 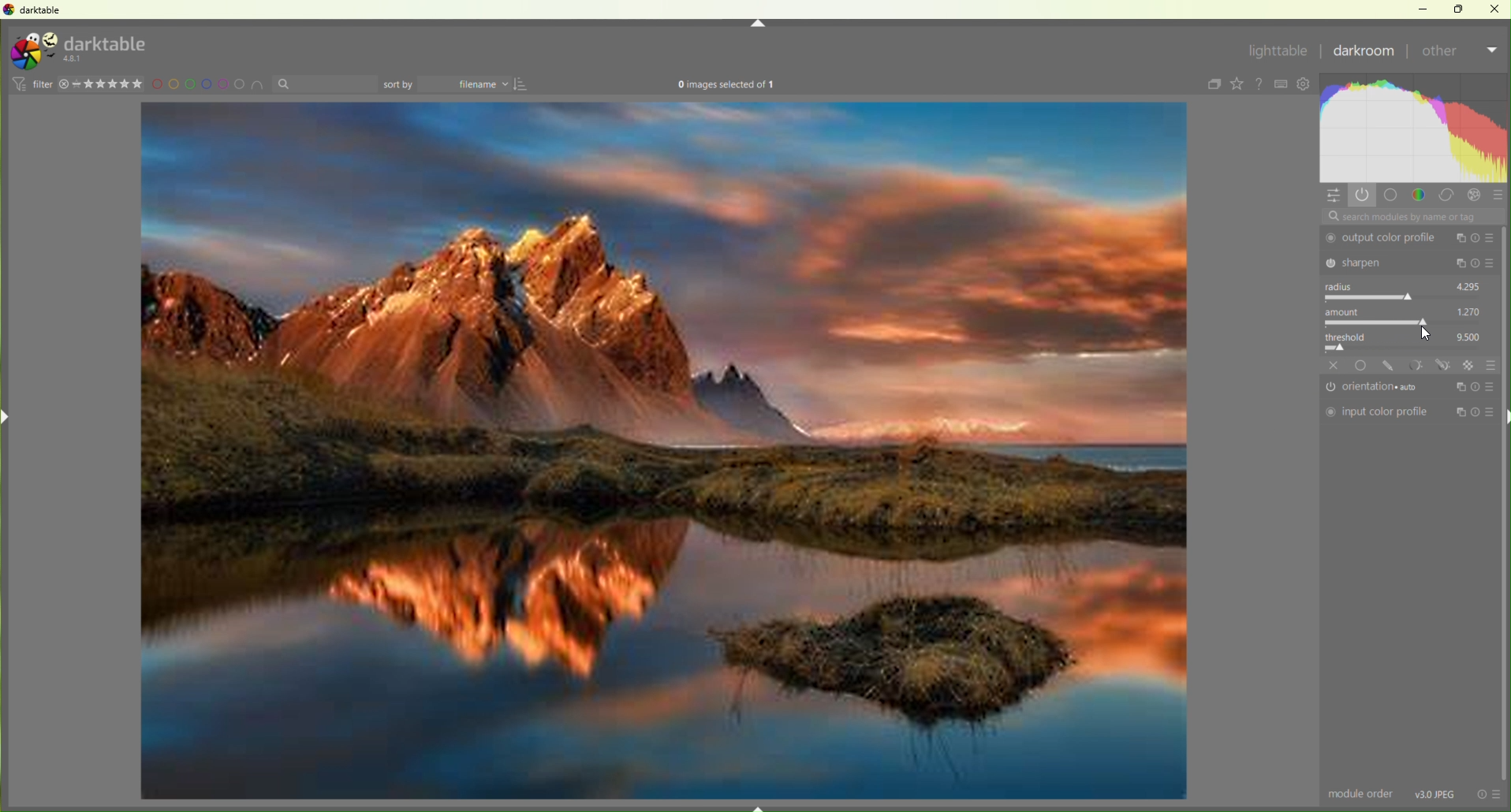 What do you see at coordinates (1377, 388) in the screenshot?
I see `orientation` at bounding box center [1377, 388].